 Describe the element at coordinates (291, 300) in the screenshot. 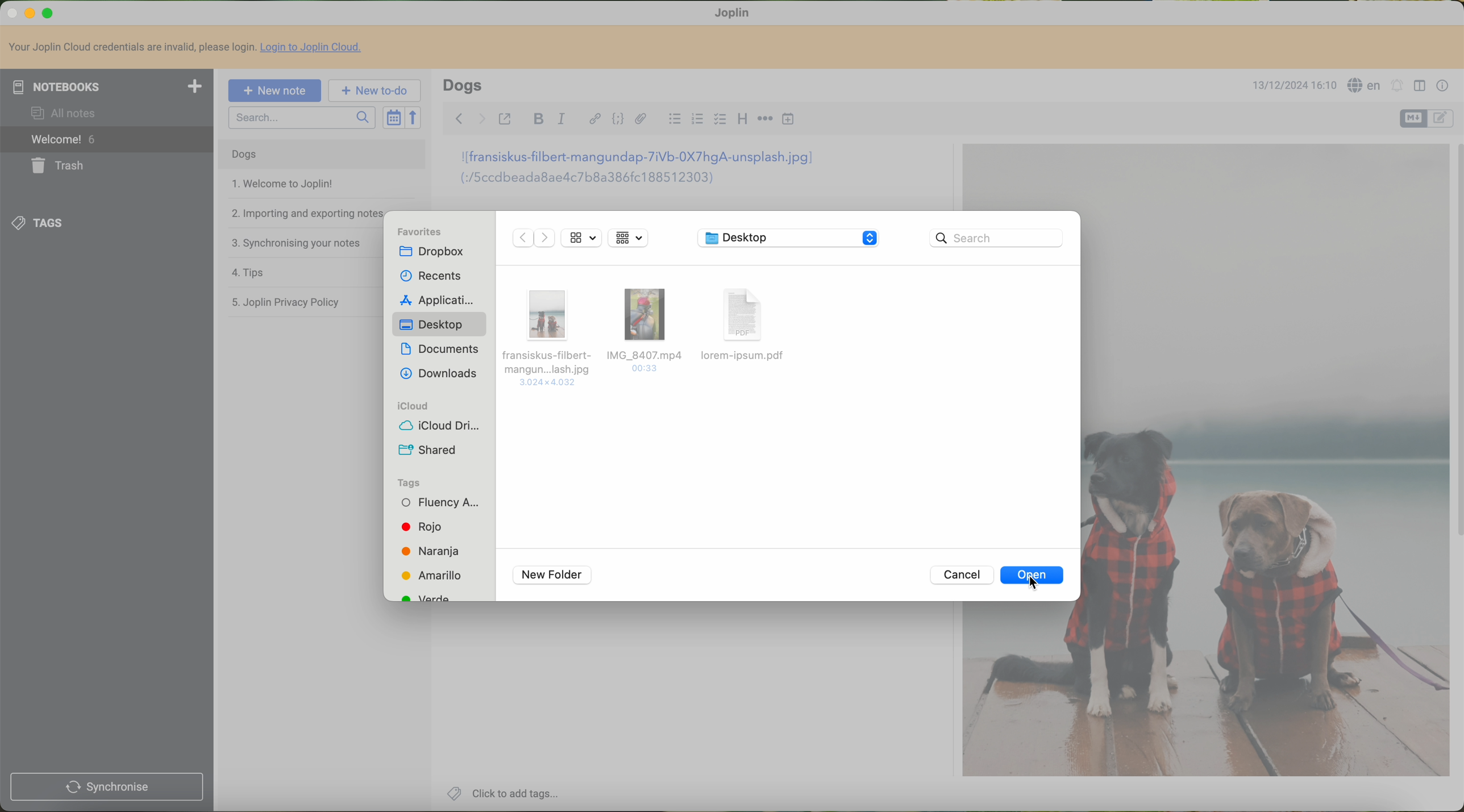

I see `Jopin privacy policy` at that location.